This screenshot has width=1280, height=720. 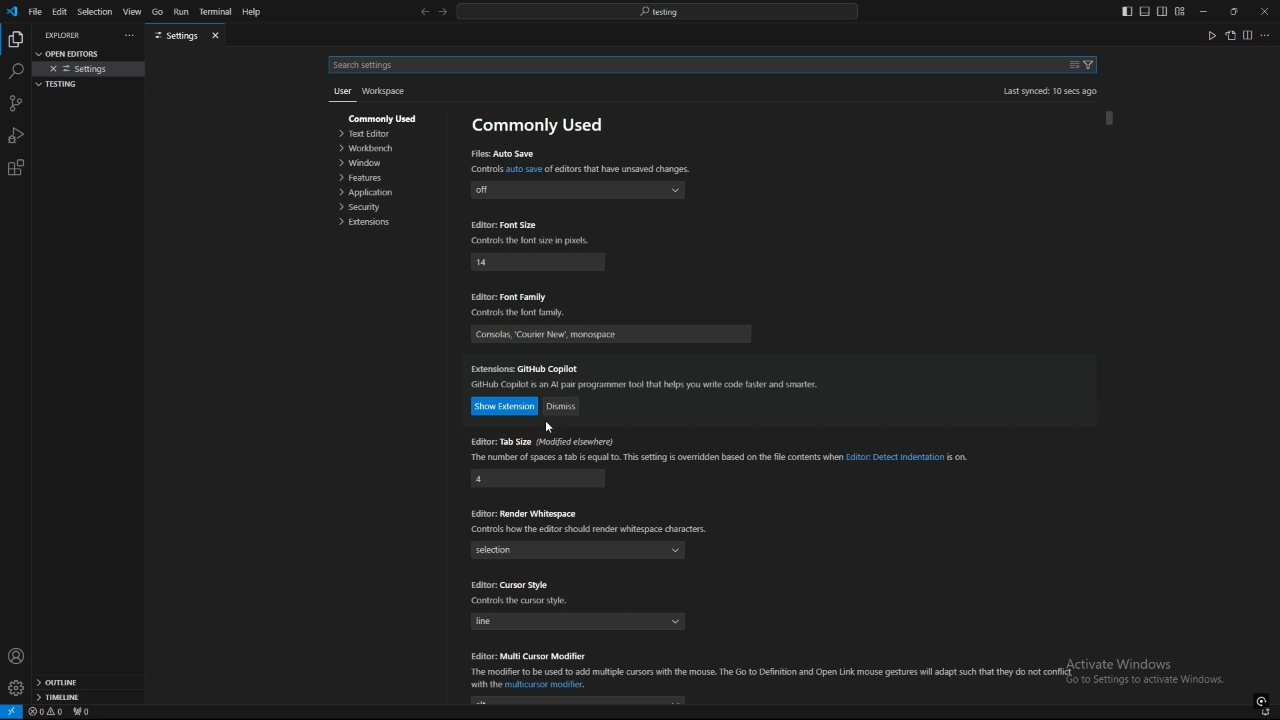 What do you see at coordinates (534, 240) in the screenshot?
I see `info` at bounding box center [534, 240].